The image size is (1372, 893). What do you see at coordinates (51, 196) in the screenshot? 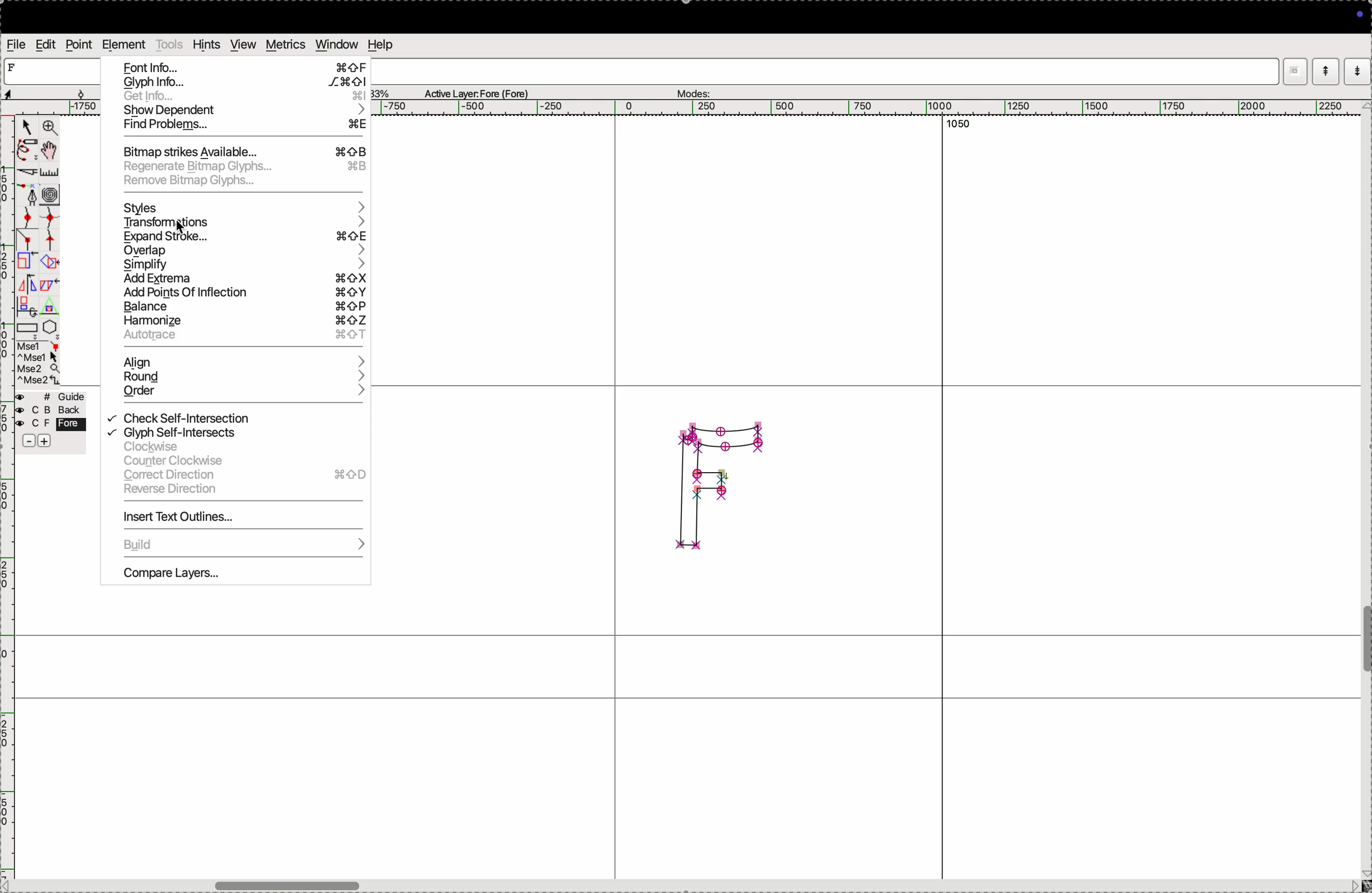
I see `curves` at bounding box center [51, 196].